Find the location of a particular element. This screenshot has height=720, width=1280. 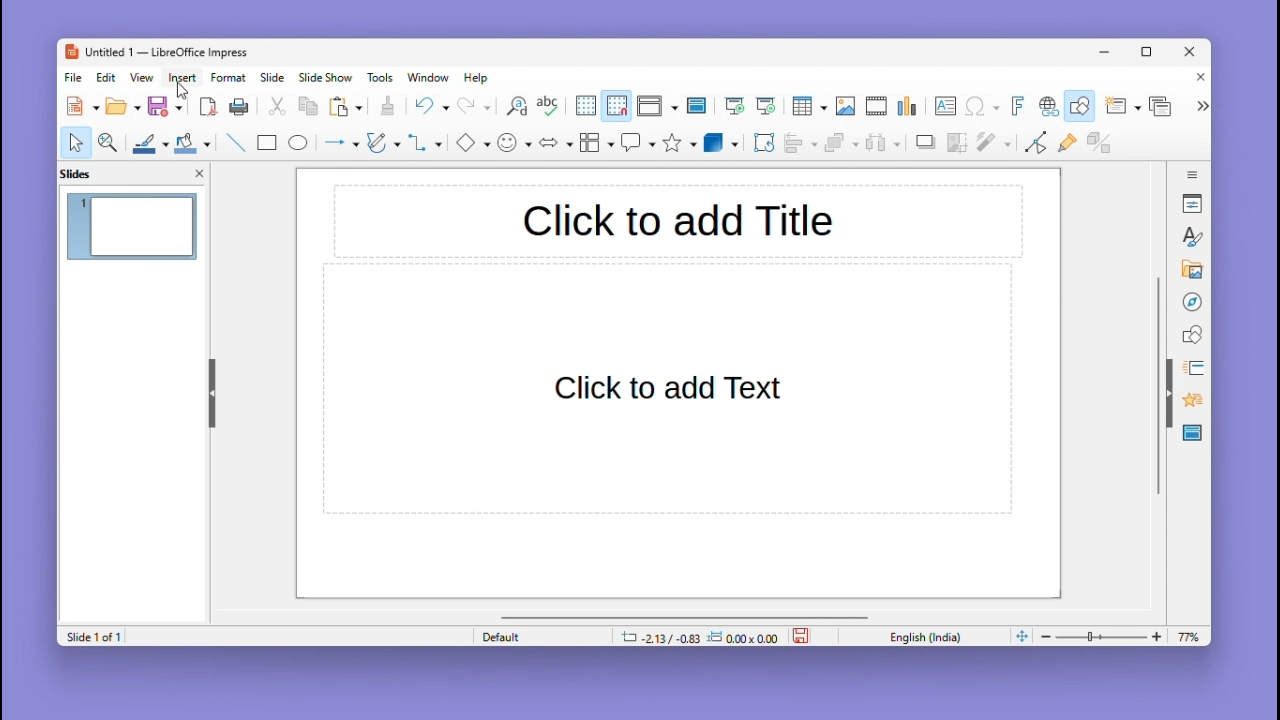

Symbol is located at coordinates (516, 142).